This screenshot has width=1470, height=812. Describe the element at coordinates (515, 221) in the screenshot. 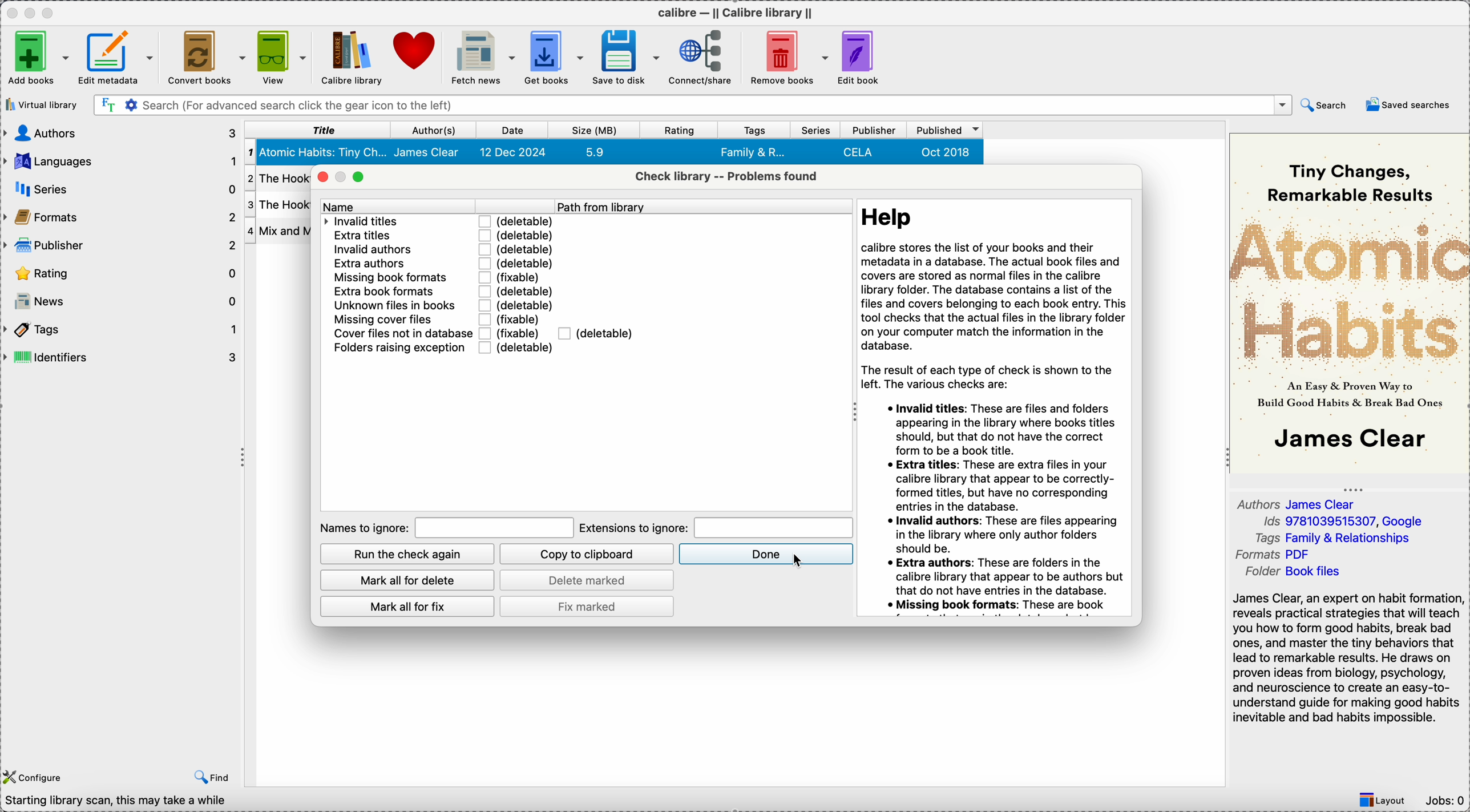

I see `deletable` at that location.